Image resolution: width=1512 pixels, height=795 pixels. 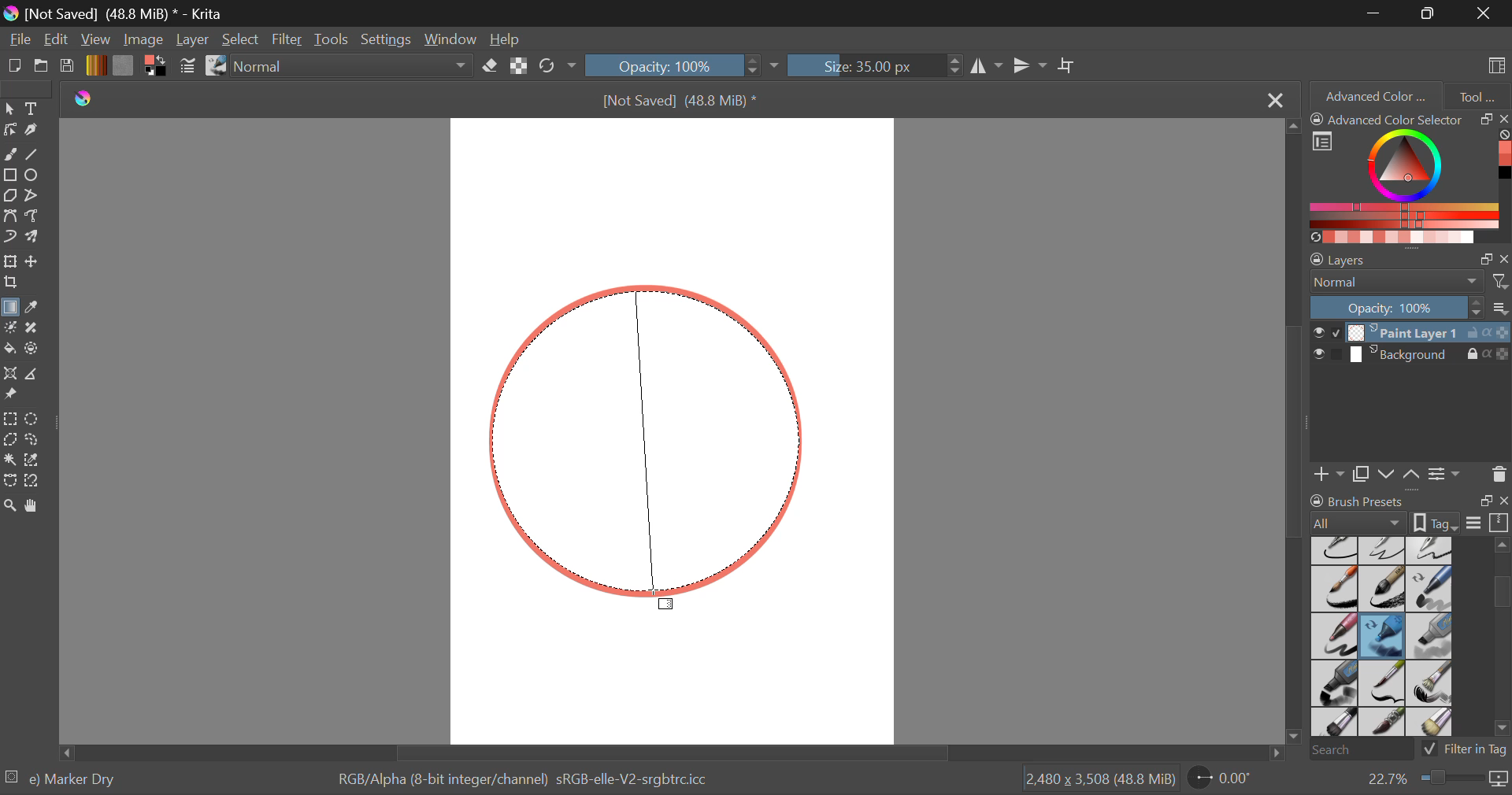 What do you see at coordinates (82, 99) in the screenshot?
I see `Krita Logo` at bounding box center [82, 99].